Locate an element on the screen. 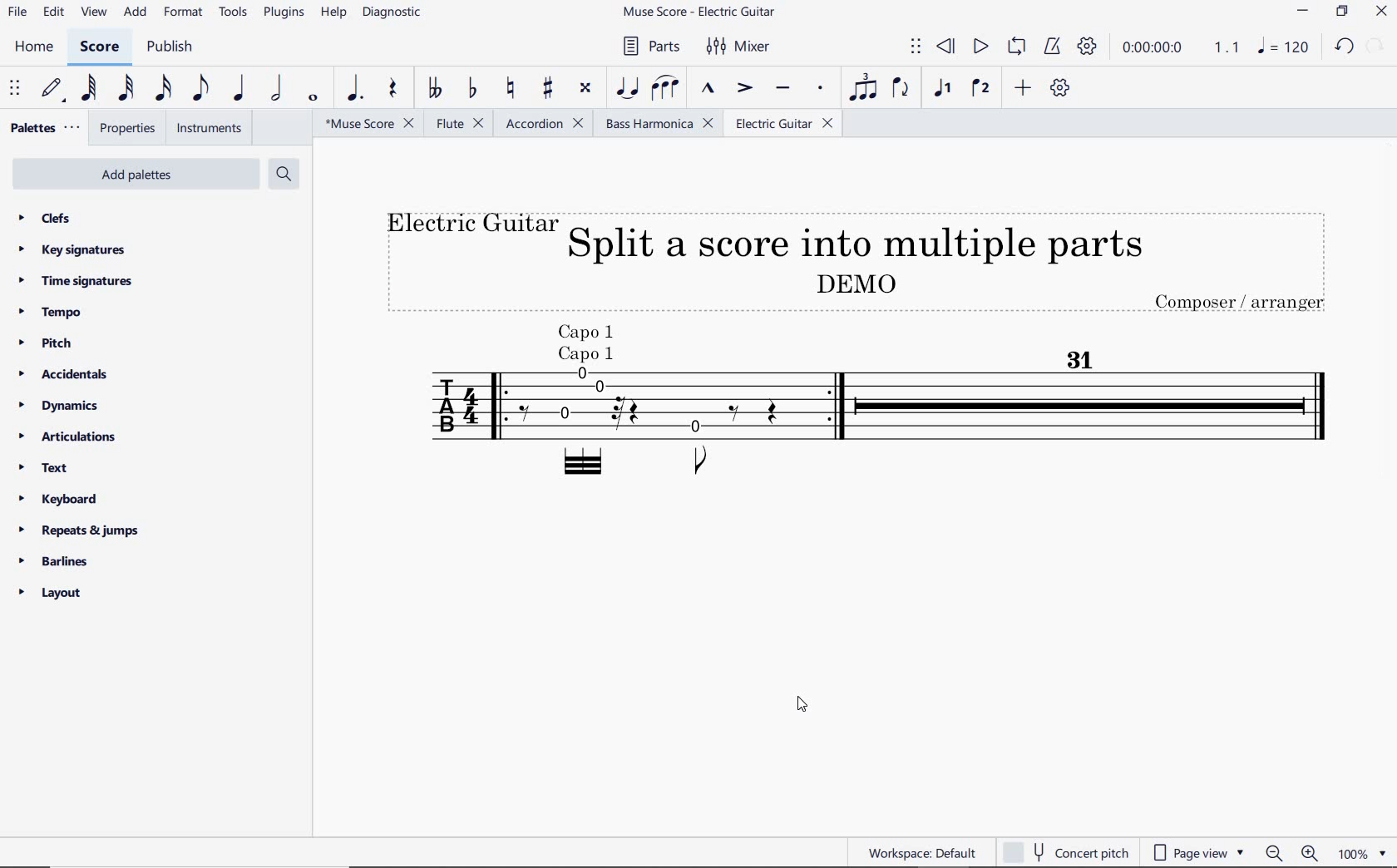 The image size is (1397, 868). add palettes is located at coordinates (135, 174).